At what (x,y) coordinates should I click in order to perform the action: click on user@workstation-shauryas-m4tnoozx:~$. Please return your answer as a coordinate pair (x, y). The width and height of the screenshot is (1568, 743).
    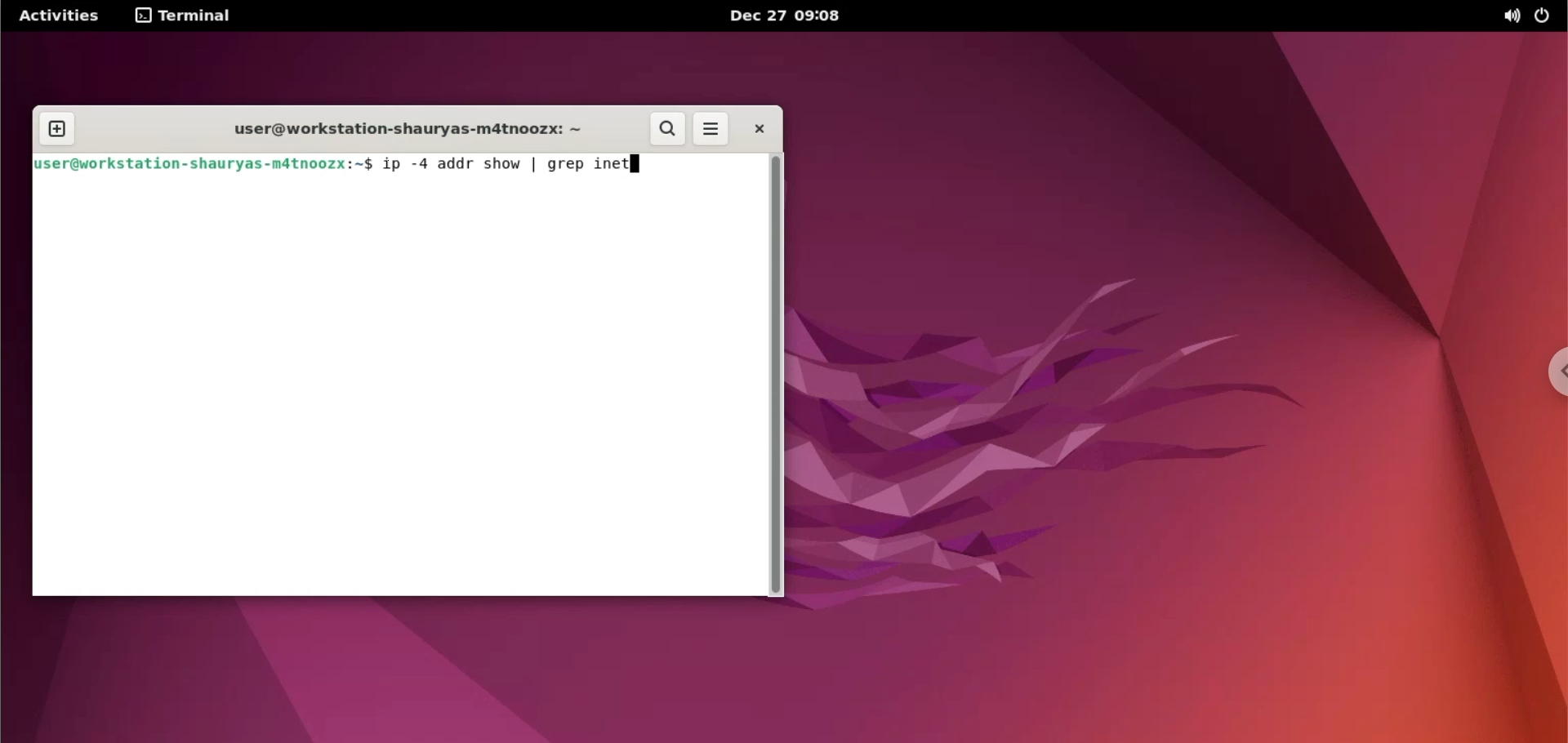
    Looking at the image, I should click on (203, 165).